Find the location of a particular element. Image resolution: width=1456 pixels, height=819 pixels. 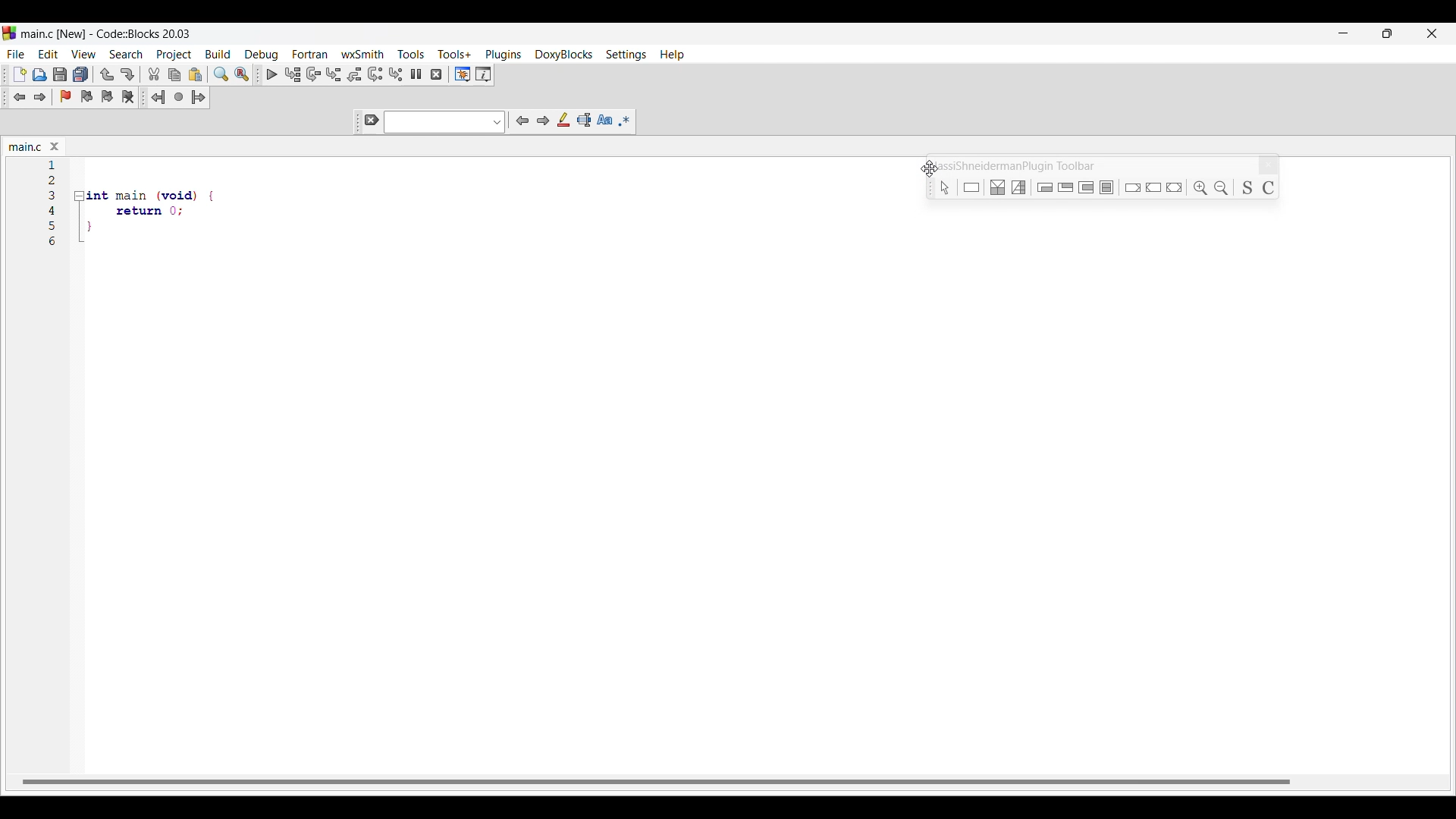

Project menu is located at coordinates (174, 55).